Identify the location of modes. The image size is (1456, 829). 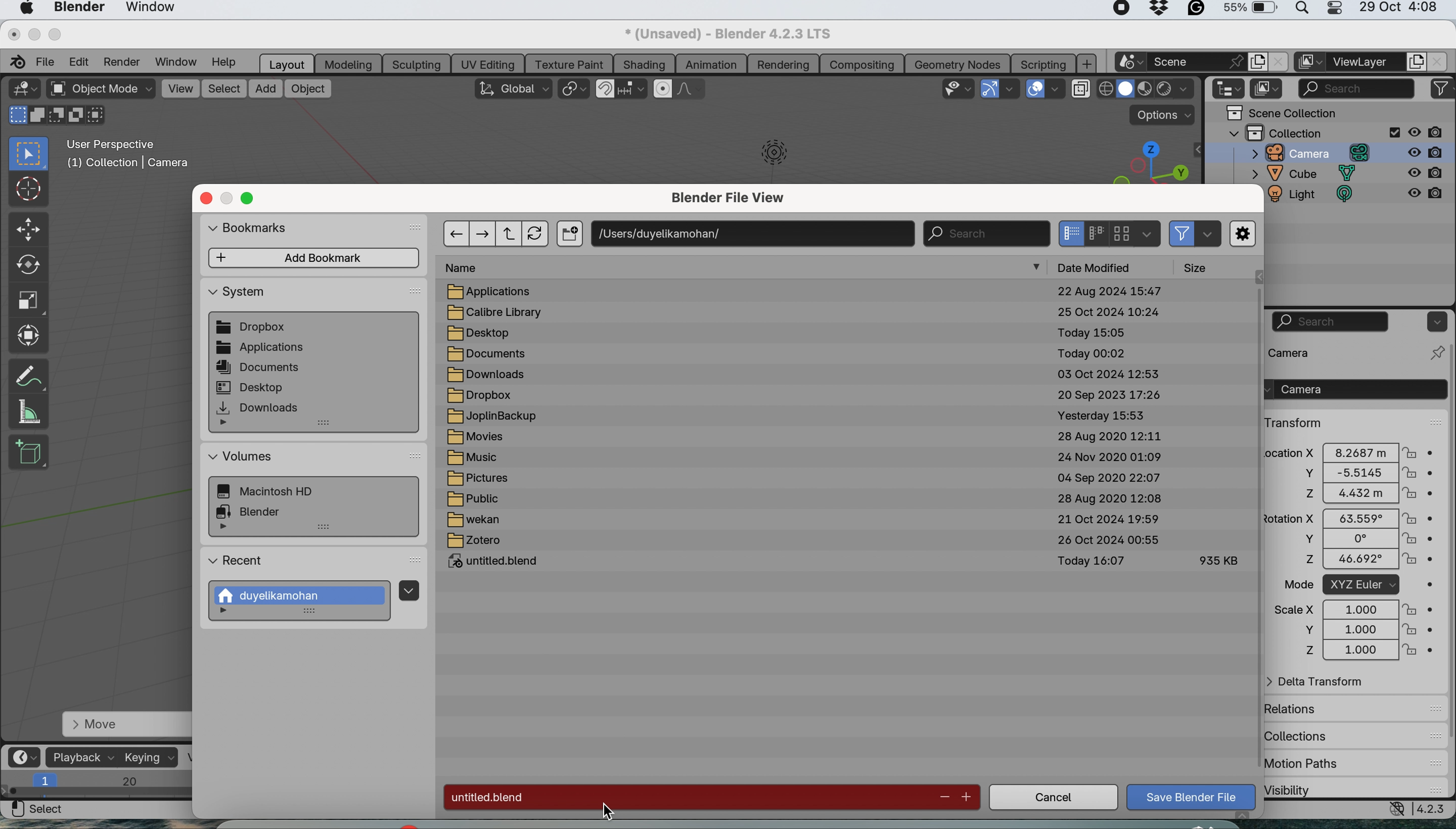
(54, 116).